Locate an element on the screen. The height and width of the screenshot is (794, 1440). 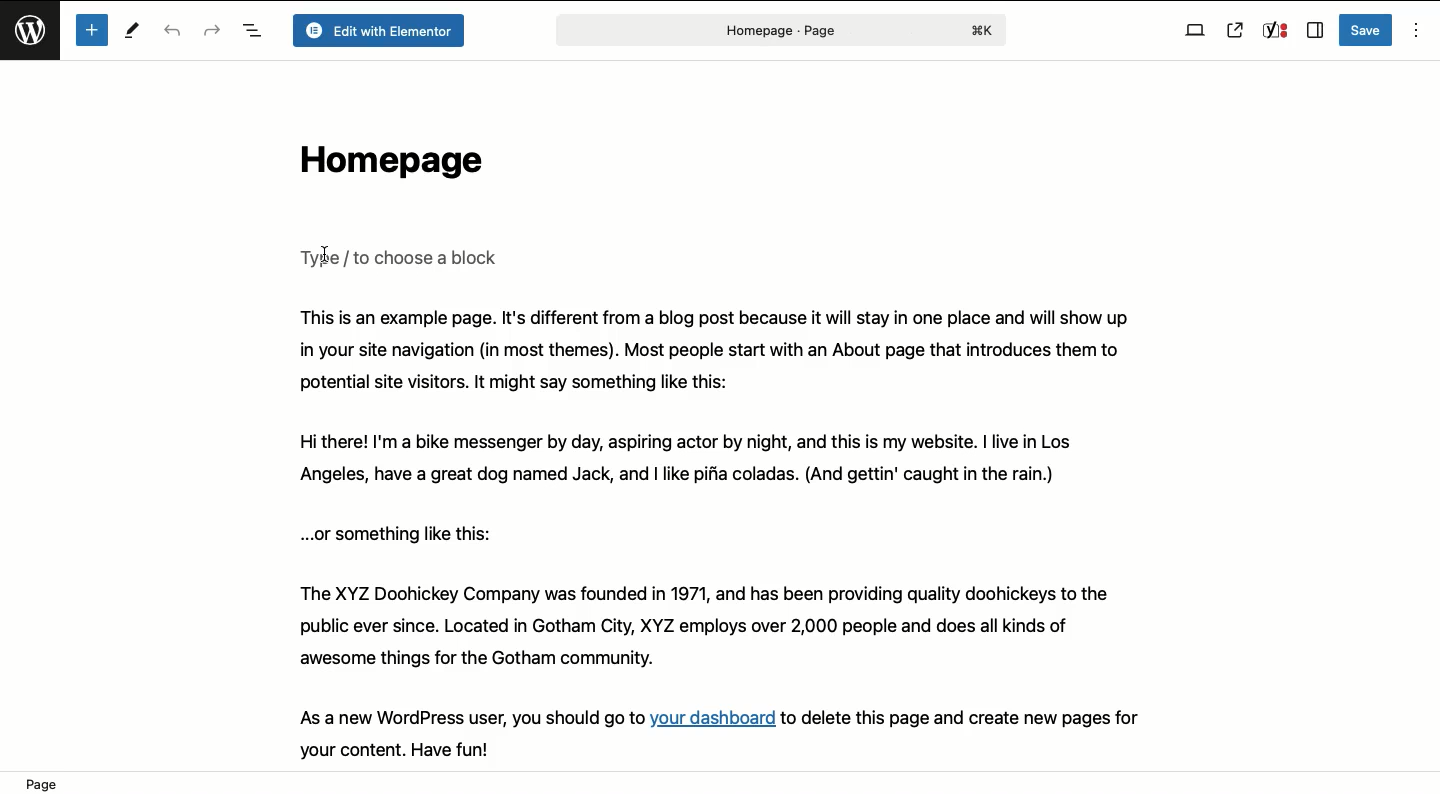
Undo is located at coordinates (175, 32).